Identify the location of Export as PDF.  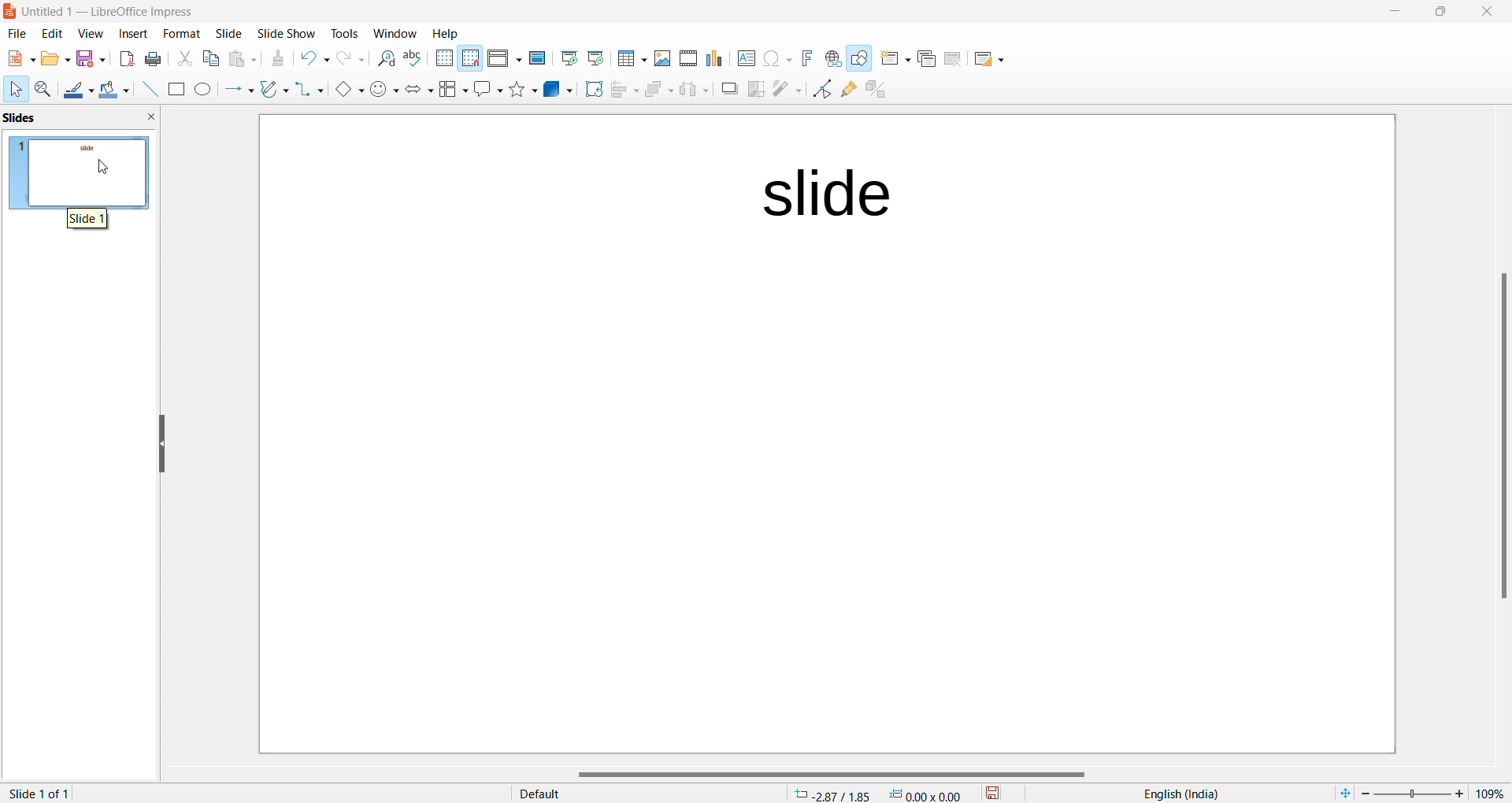
(124, 59).